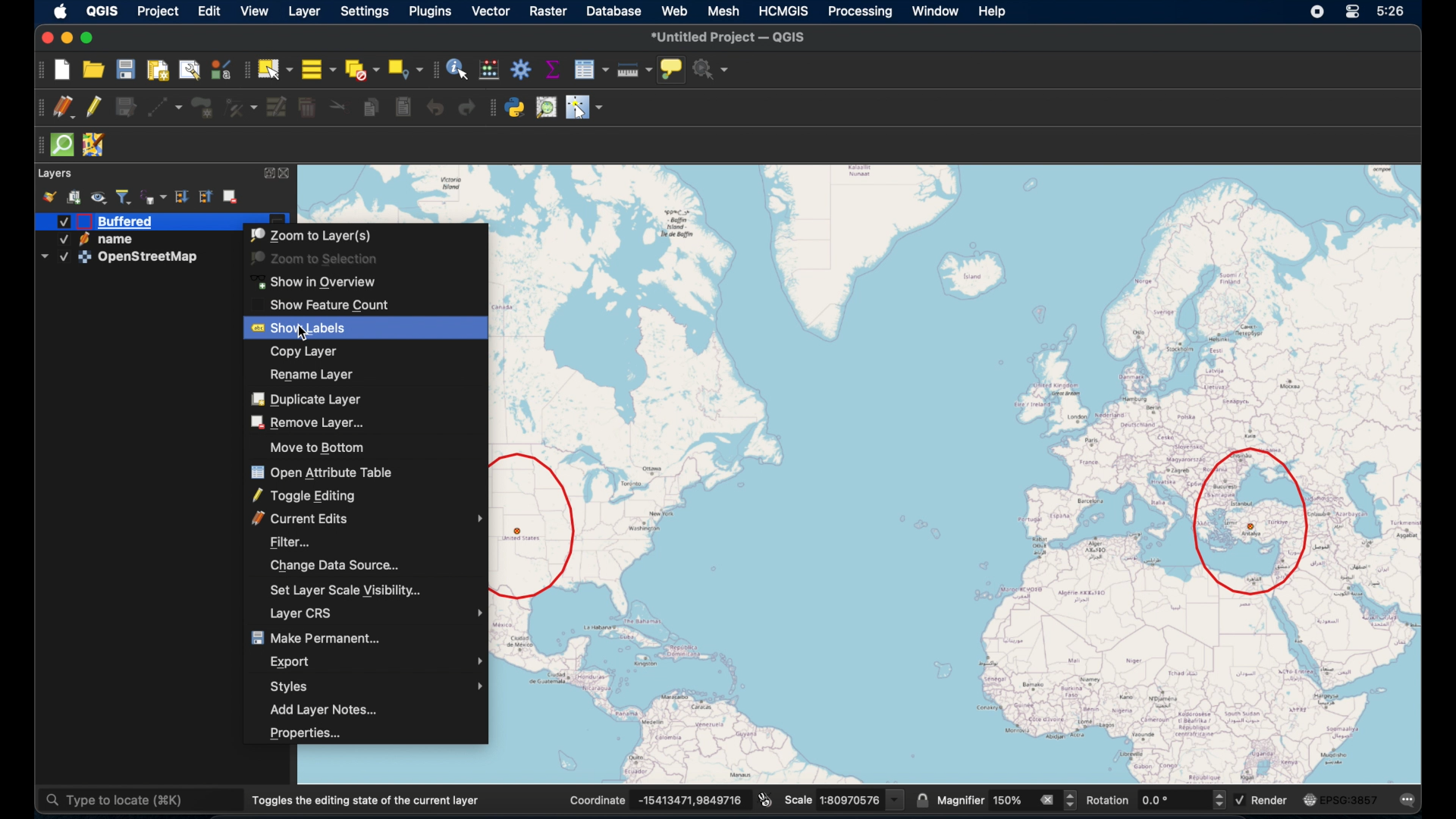 This screenshot has height=819, width=1456. What do you see at coordinates (765, 799) in the screenshot?
I see `toggle extents and position mouse display` at bounding box center [765, 799].